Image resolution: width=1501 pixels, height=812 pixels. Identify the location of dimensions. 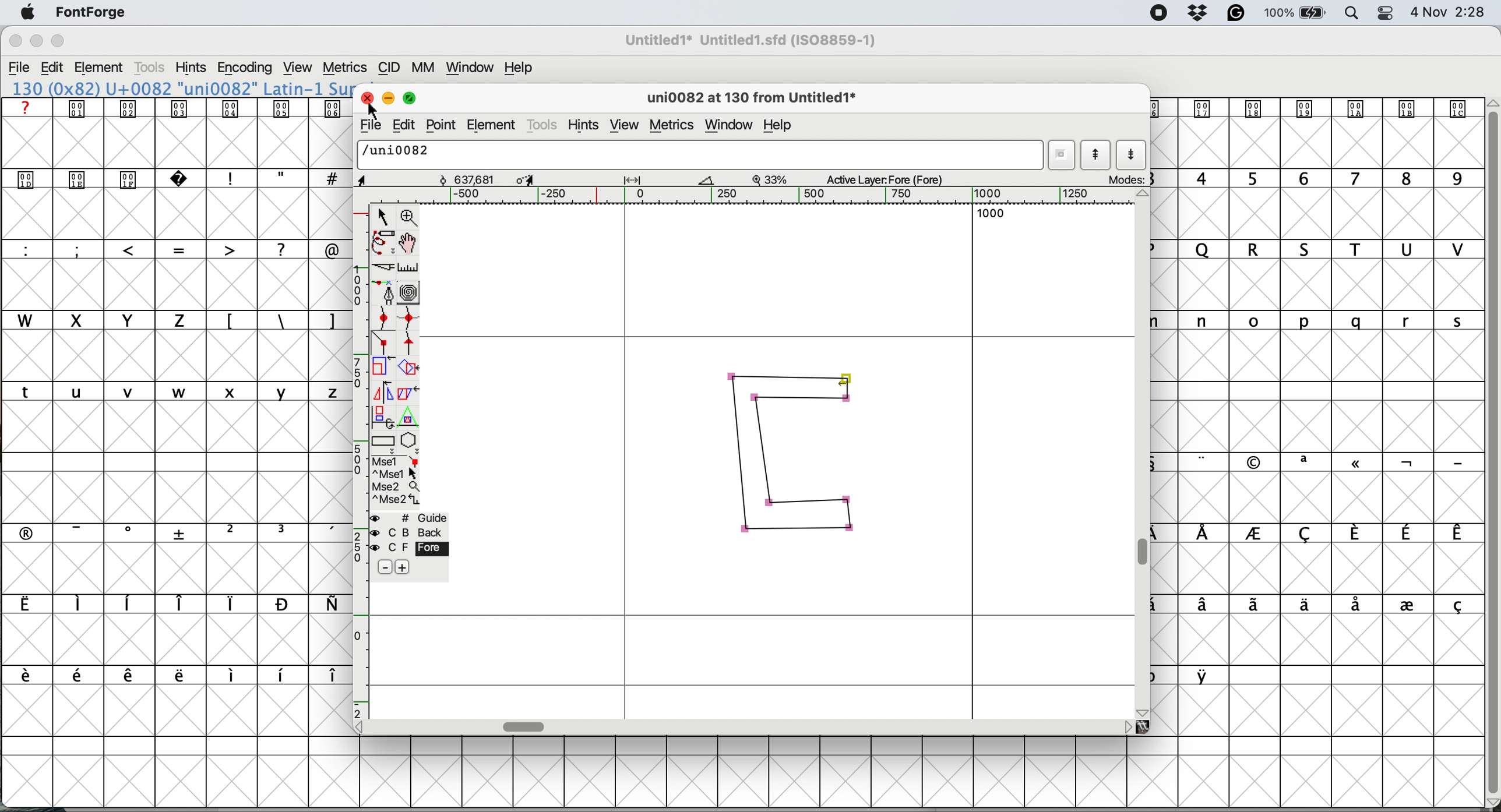
(541, 179).